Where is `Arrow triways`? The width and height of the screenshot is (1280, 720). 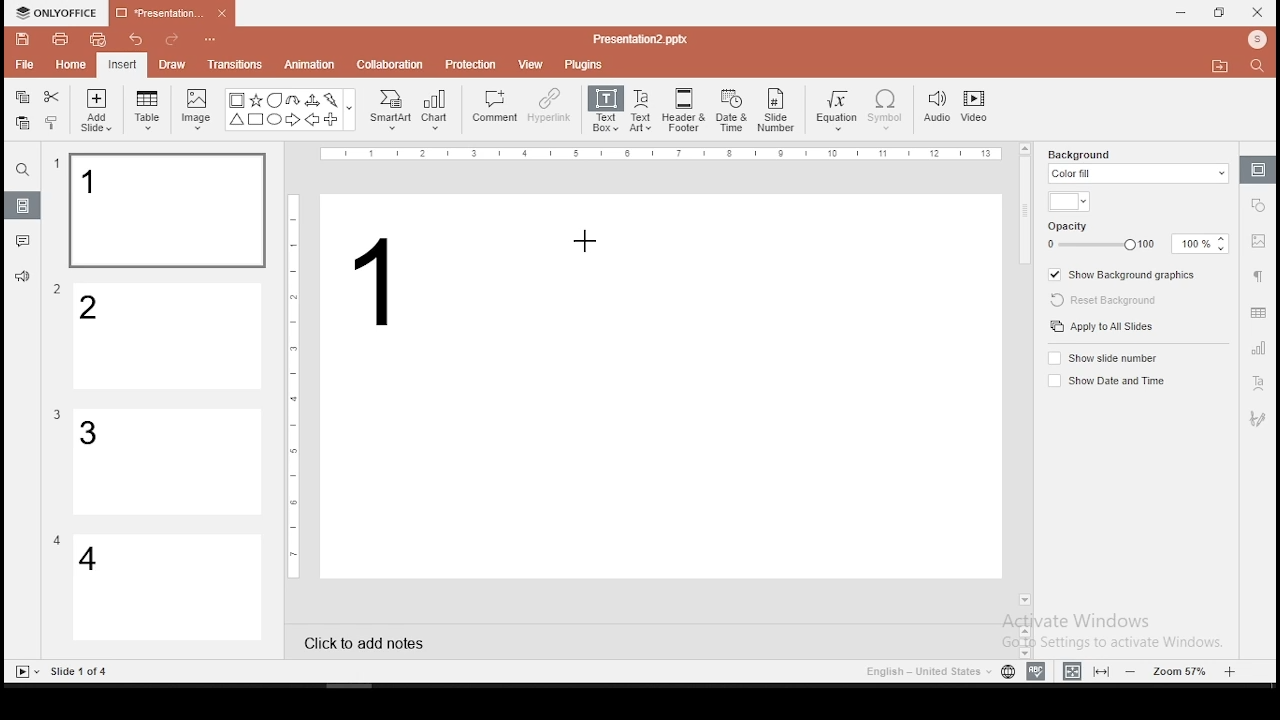
Arrow triways is located at coordinates (313, 100).